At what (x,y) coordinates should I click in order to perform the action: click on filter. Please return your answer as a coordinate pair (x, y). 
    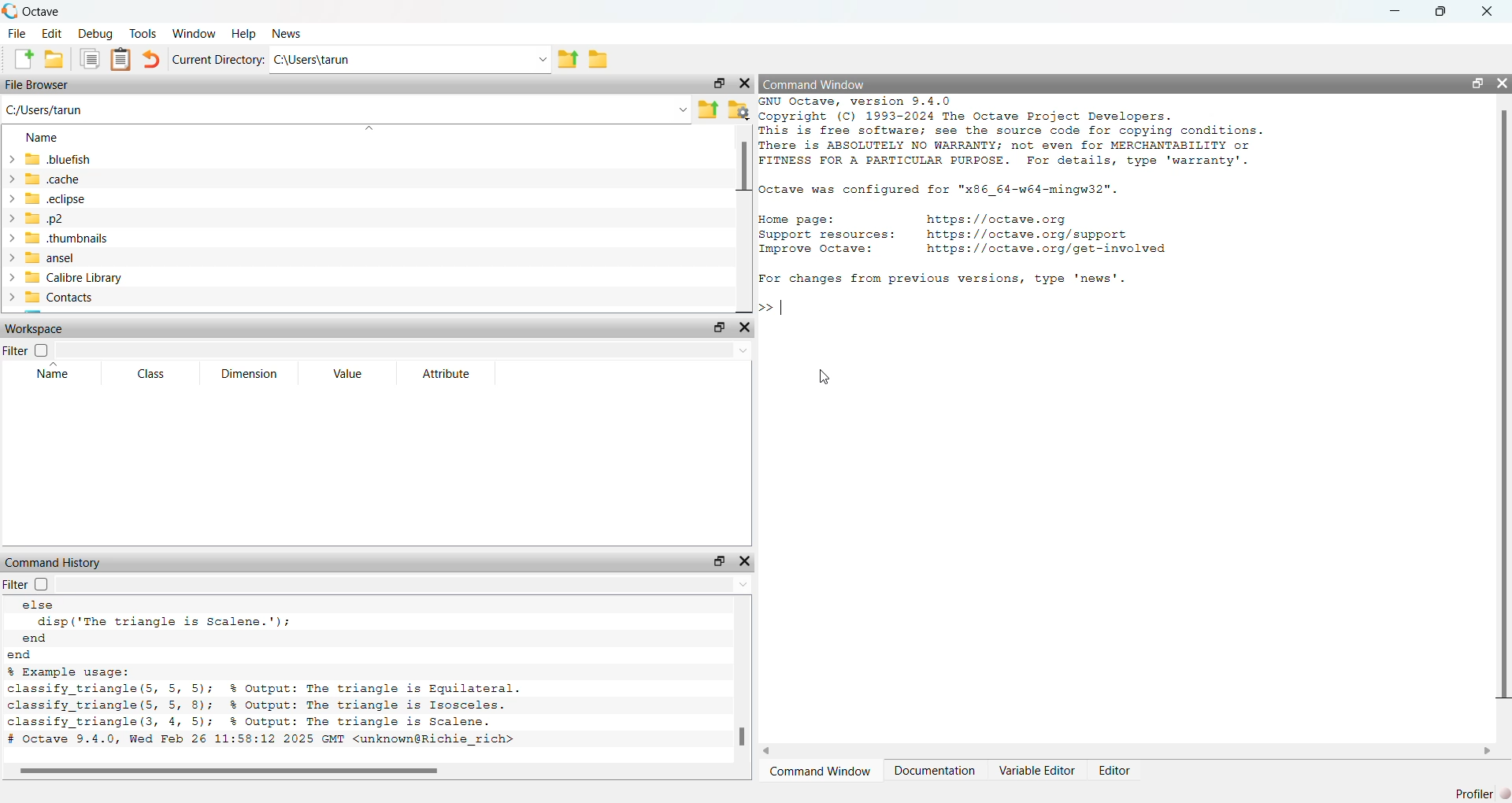
    Looking at the image, I should click on (28, 351).